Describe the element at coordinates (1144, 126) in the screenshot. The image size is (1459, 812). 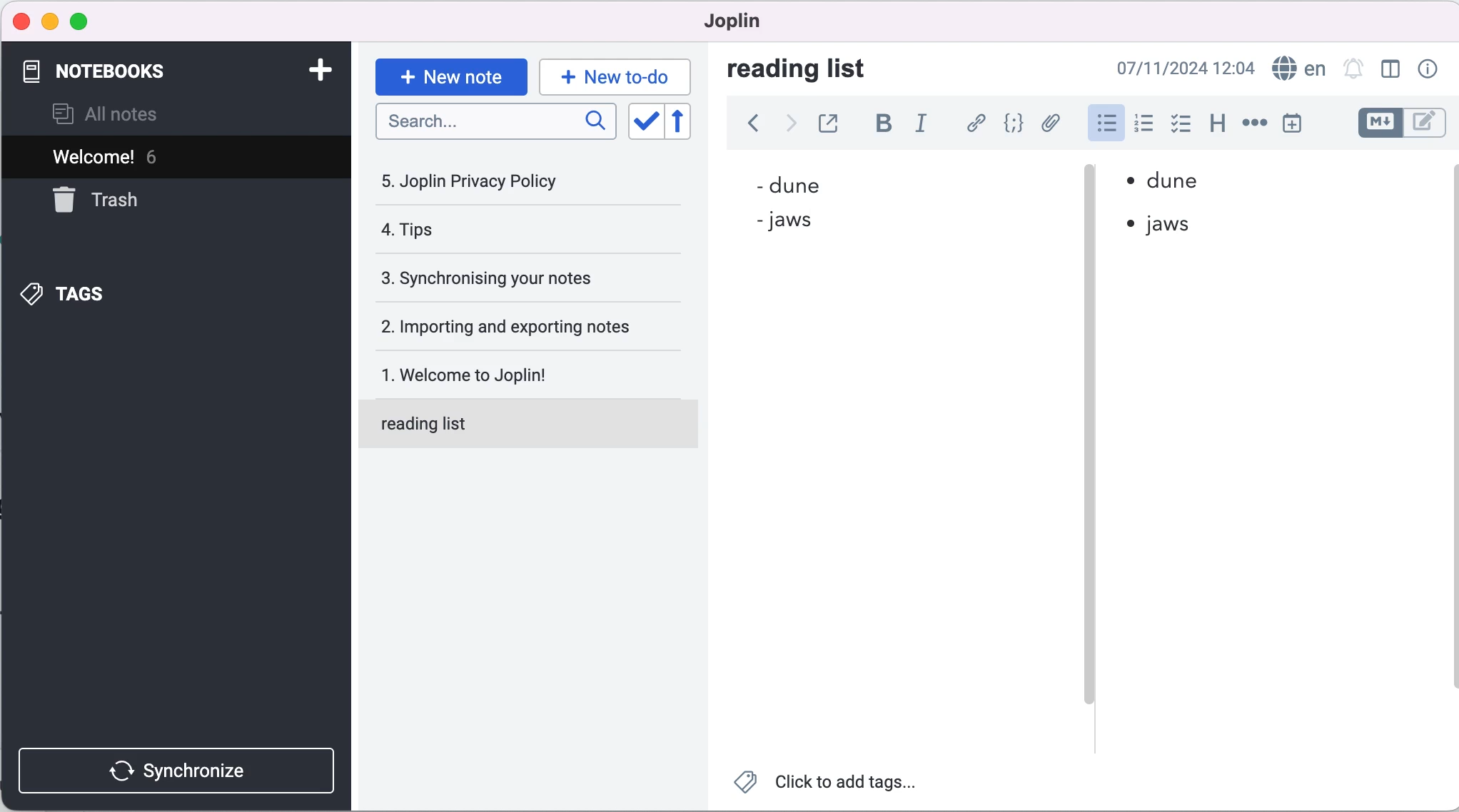
I see `numbered list` at that location.